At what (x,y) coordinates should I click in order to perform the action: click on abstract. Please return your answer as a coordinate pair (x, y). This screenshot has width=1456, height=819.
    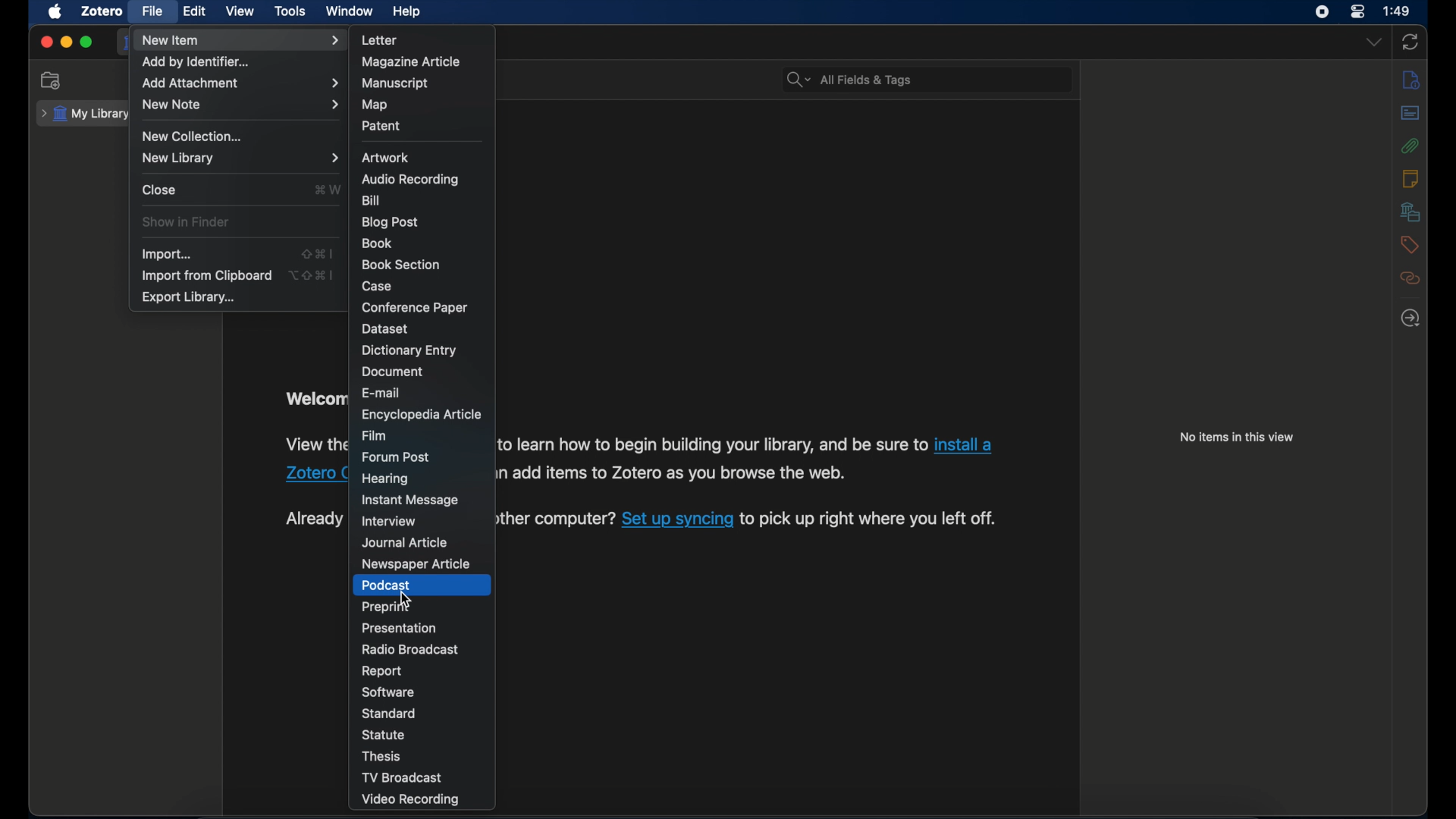
    Looking at the image, I should click on (1410, 113).